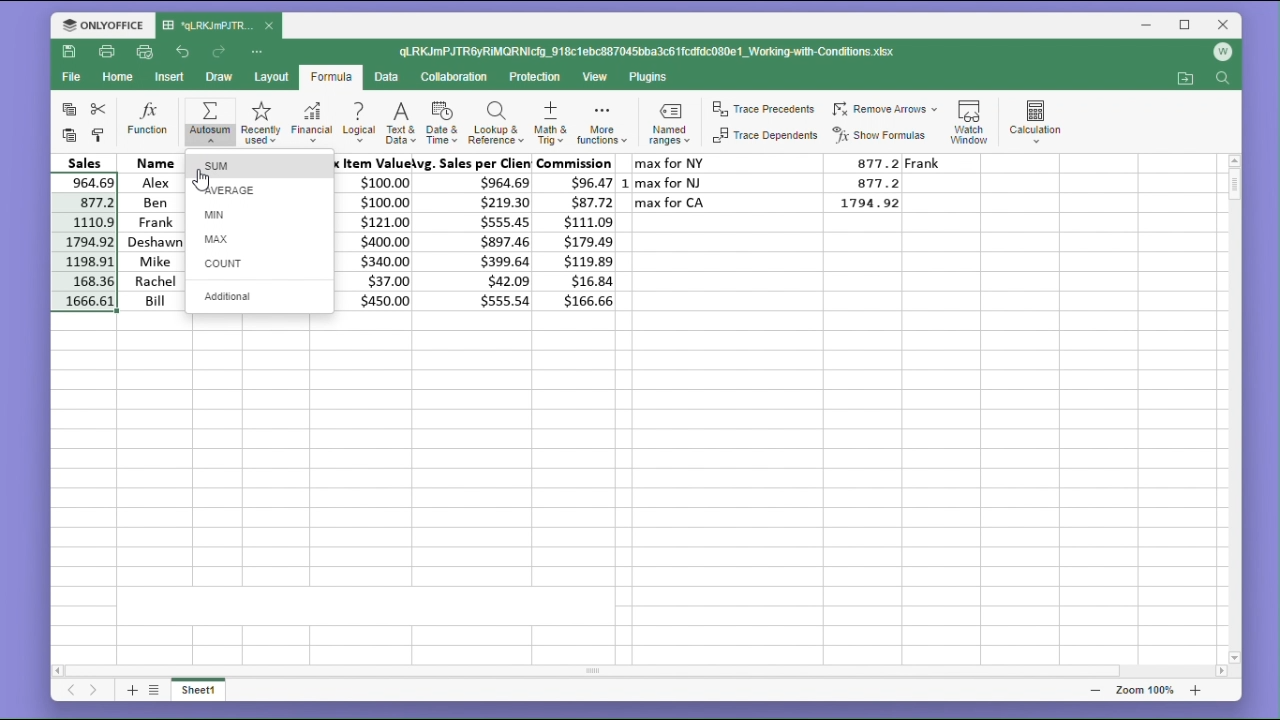 The width and height of the screenshot is (1280, 720). I want to click on names, so click(150, 232).